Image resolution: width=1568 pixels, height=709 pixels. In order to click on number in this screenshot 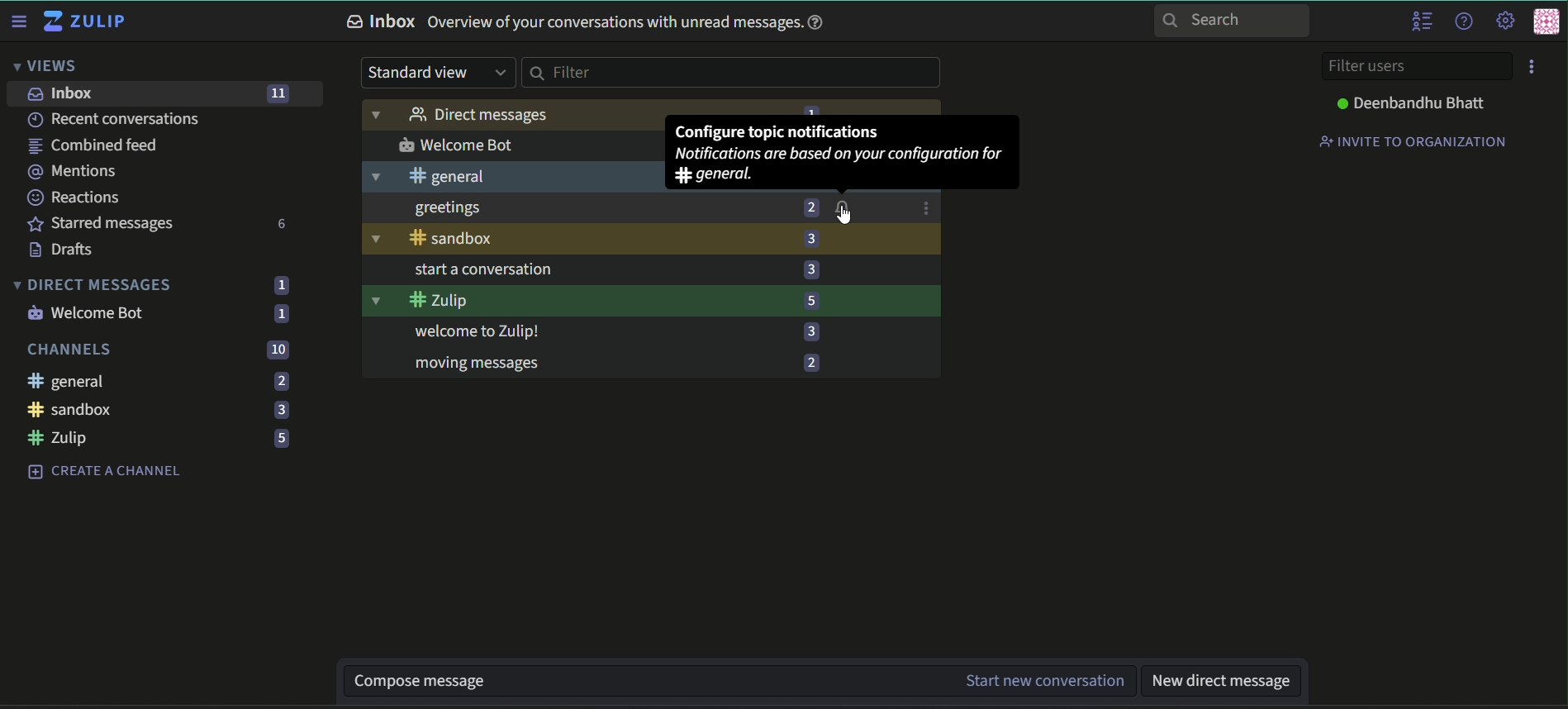, I will do `click(811, 332)`.